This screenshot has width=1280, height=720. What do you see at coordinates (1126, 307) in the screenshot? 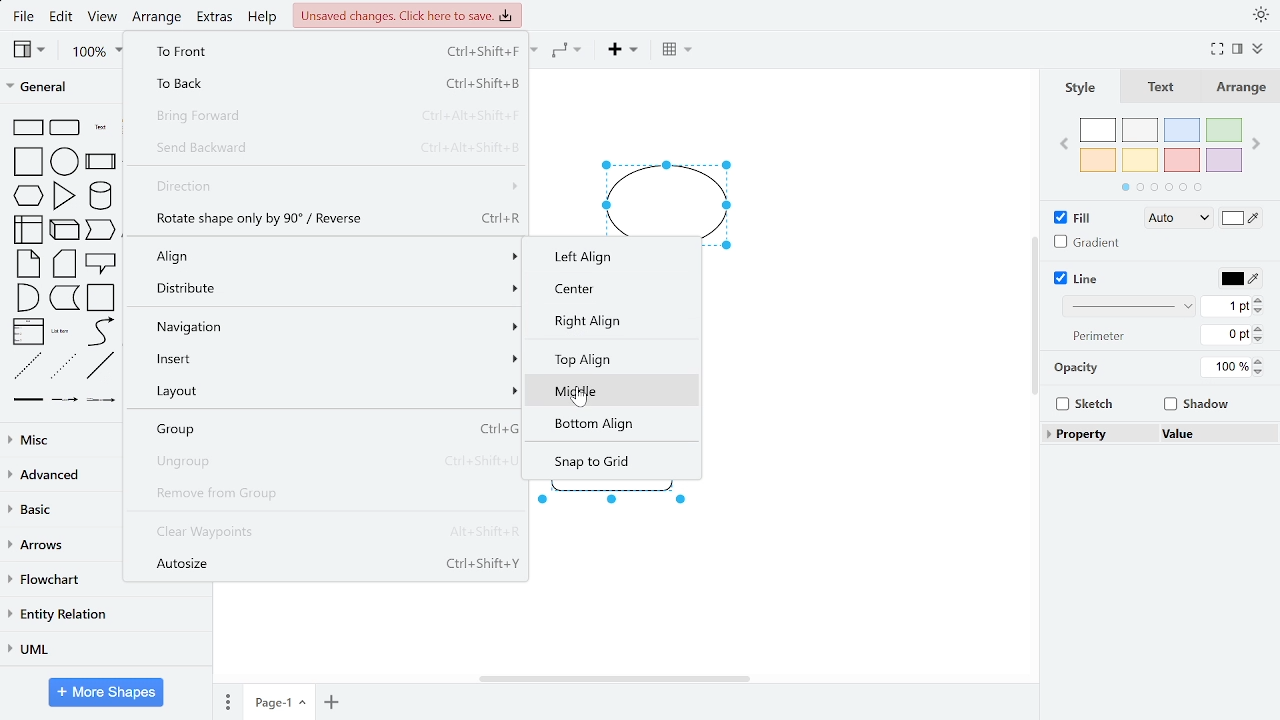
I see `line style` at bounding box center [1126, 307].